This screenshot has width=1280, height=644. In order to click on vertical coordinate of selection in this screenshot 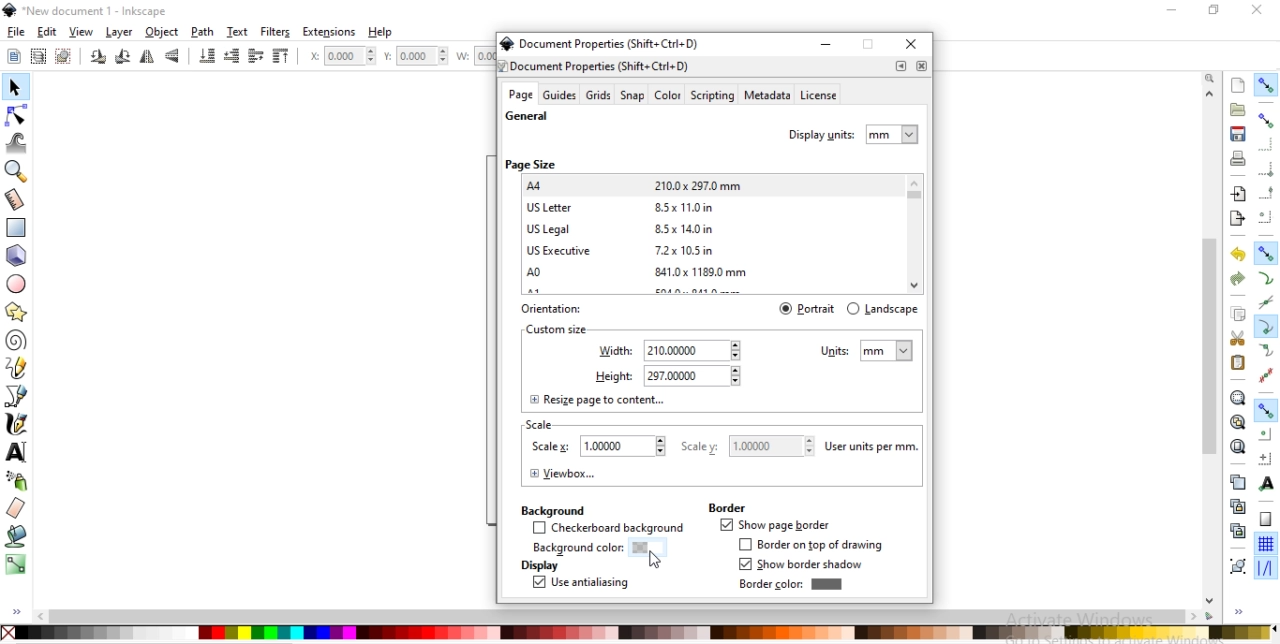, I will do `click(418, 56)`.